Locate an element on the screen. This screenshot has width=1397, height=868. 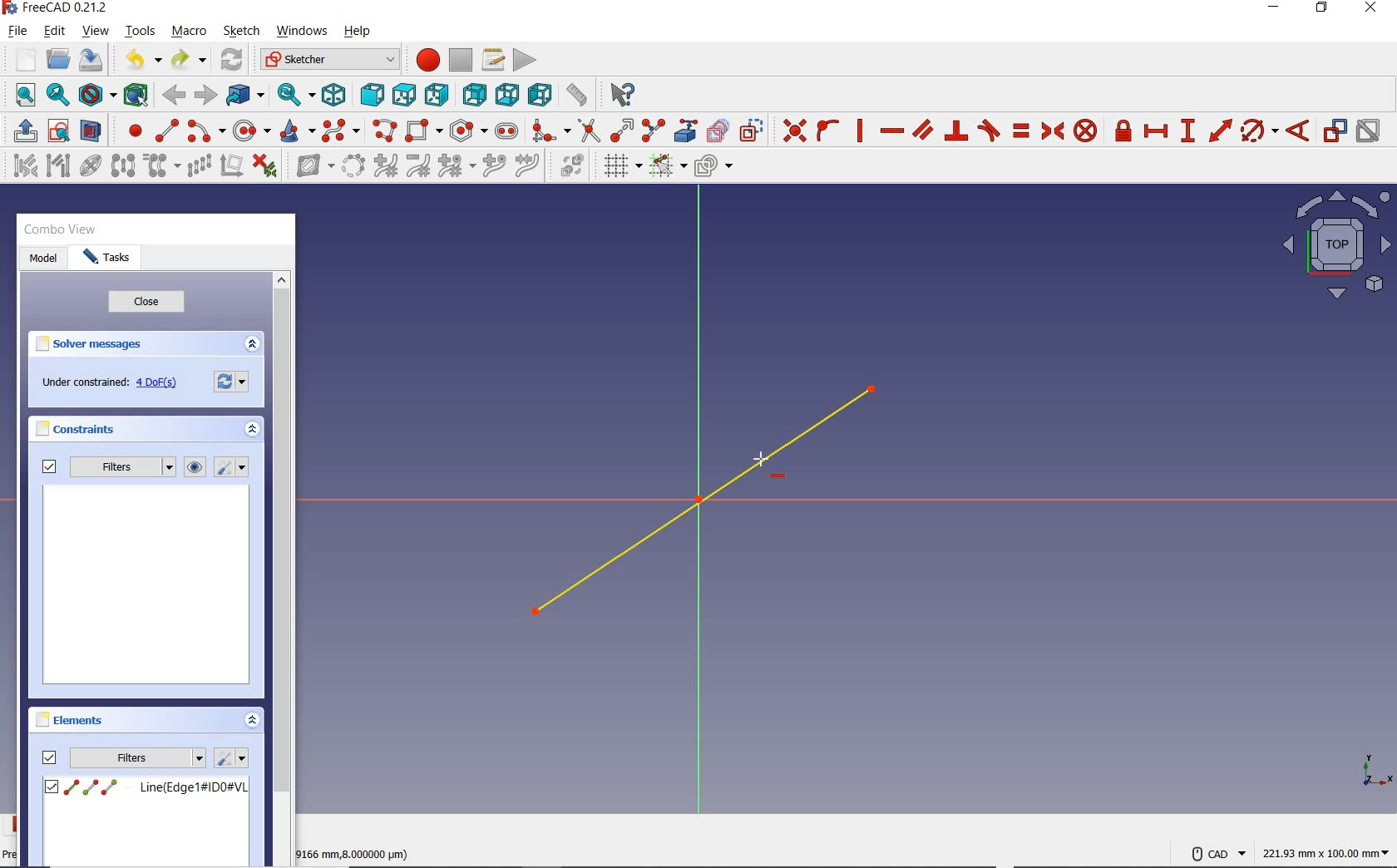
LEAVE SKETCH is located at coordinates (23, 130).